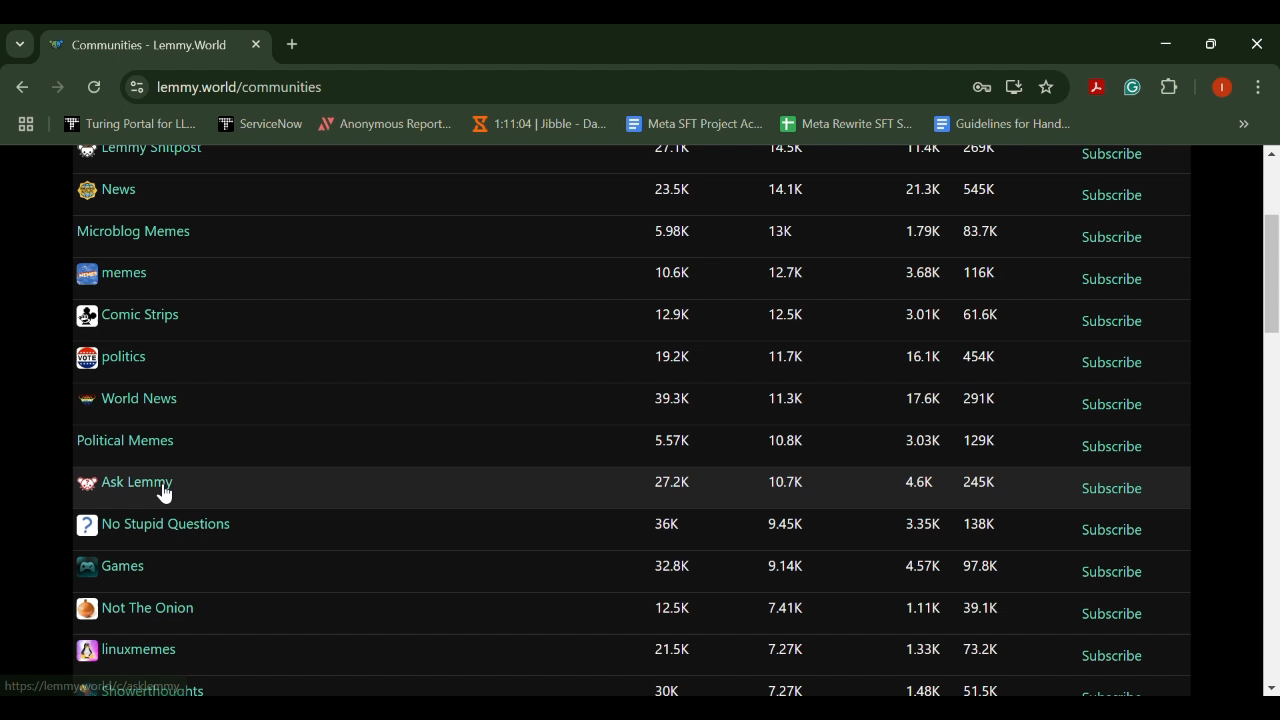 Image resolution: width=1280 pixels, height=720 pixels. Describe the element at coordinates (242, 86) in the screenshot. I see `lemmy.world/communities` at that location.